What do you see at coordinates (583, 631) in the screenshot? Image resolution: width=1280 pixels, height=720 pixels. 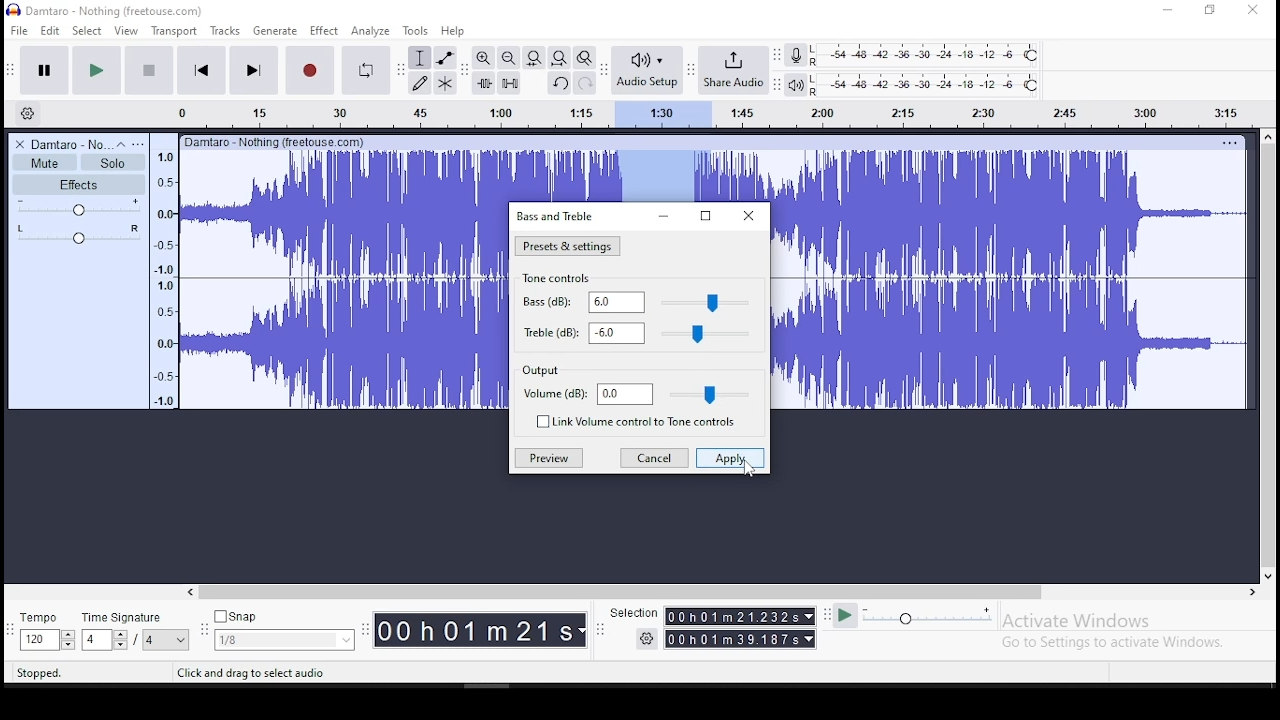 I see `drop down` at bounding box center [583, 631].